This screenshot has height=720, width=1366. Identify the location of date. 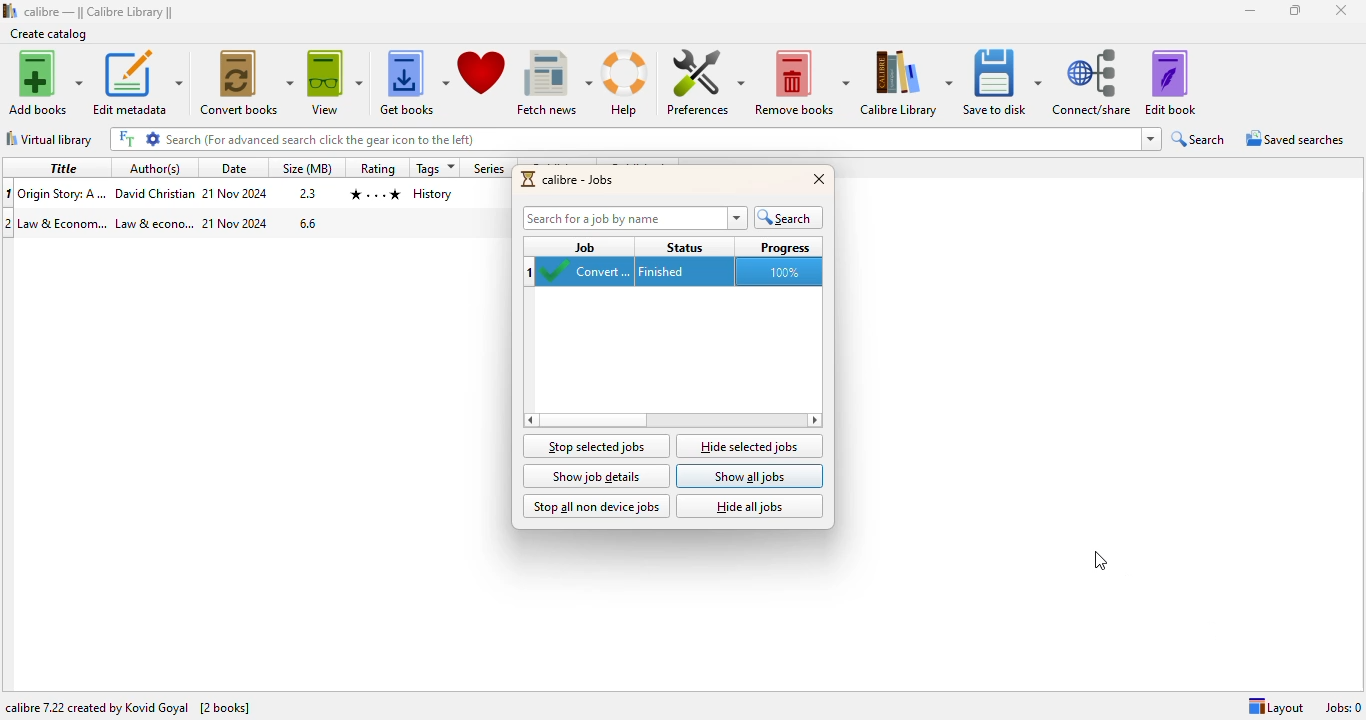
(233, 168).